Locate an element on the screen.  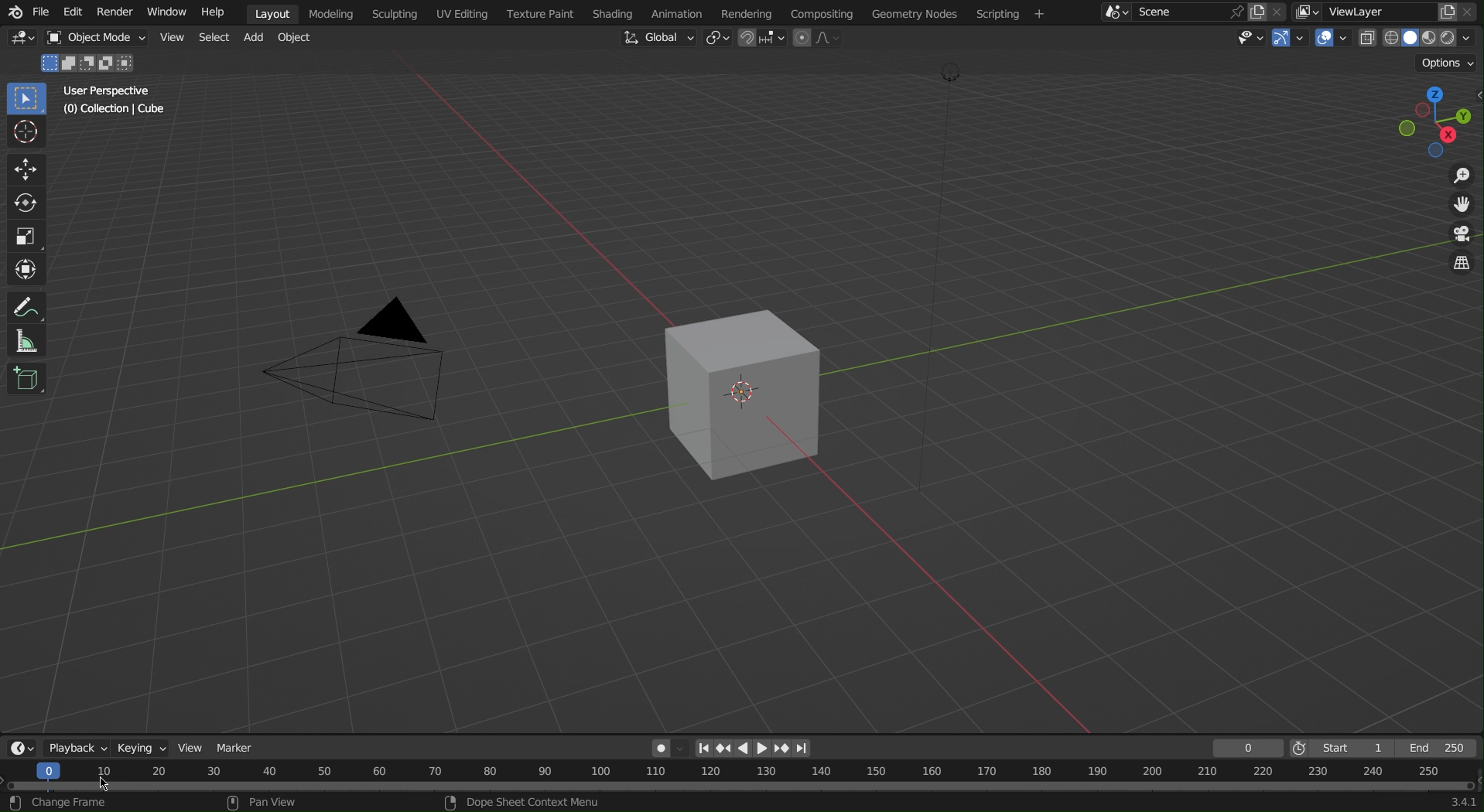
Edit is located at coordinates (74, 12).